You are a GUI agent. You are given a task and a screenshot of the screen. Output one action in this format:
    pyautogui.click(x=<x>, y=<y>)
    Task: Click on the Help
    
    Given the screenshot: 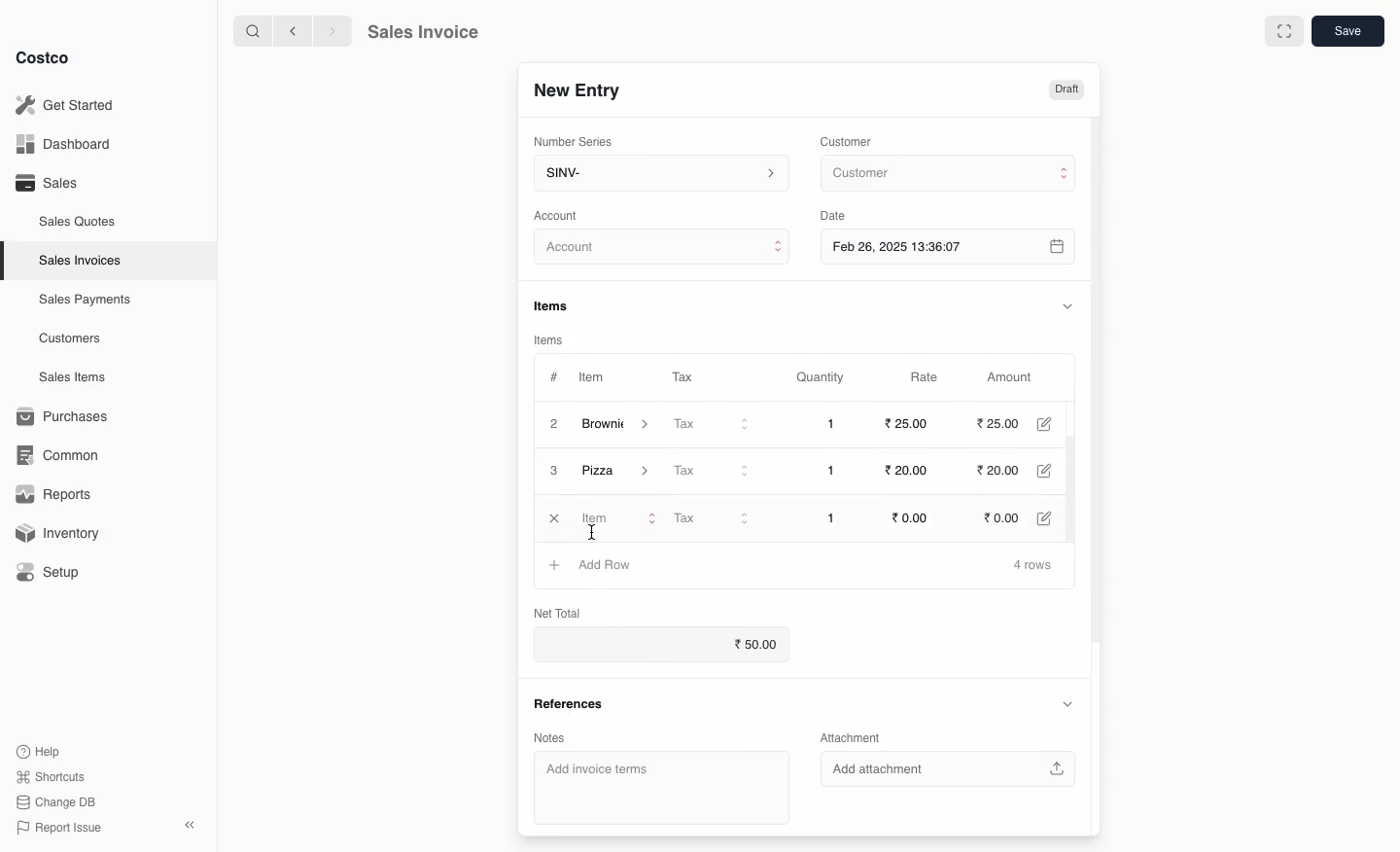 What is the action you would take?
    pyautogui.click(x=40, y=750)
    